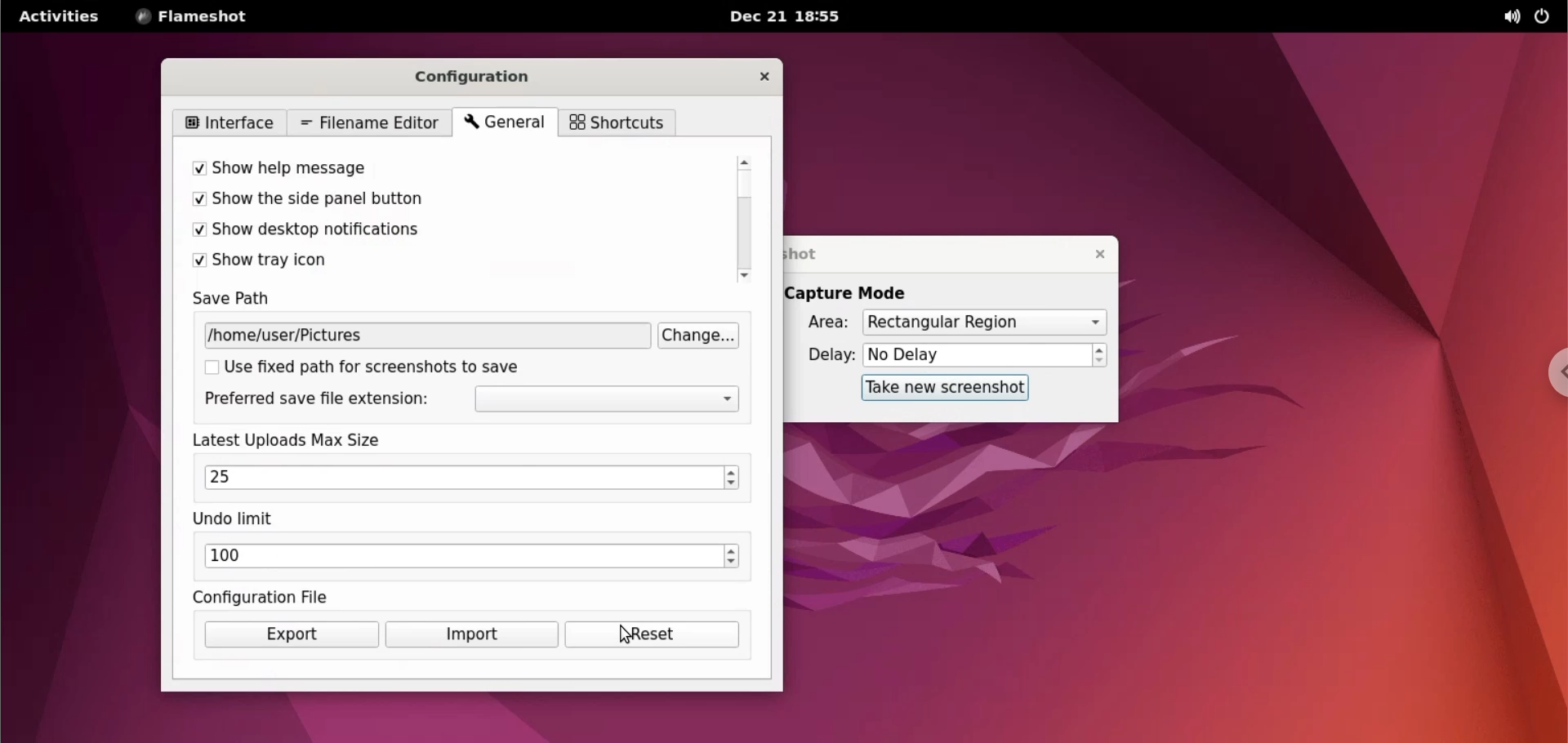  Describe the element at coordinates (977, 356) in the screenshot. I see `No Delay` at that location.